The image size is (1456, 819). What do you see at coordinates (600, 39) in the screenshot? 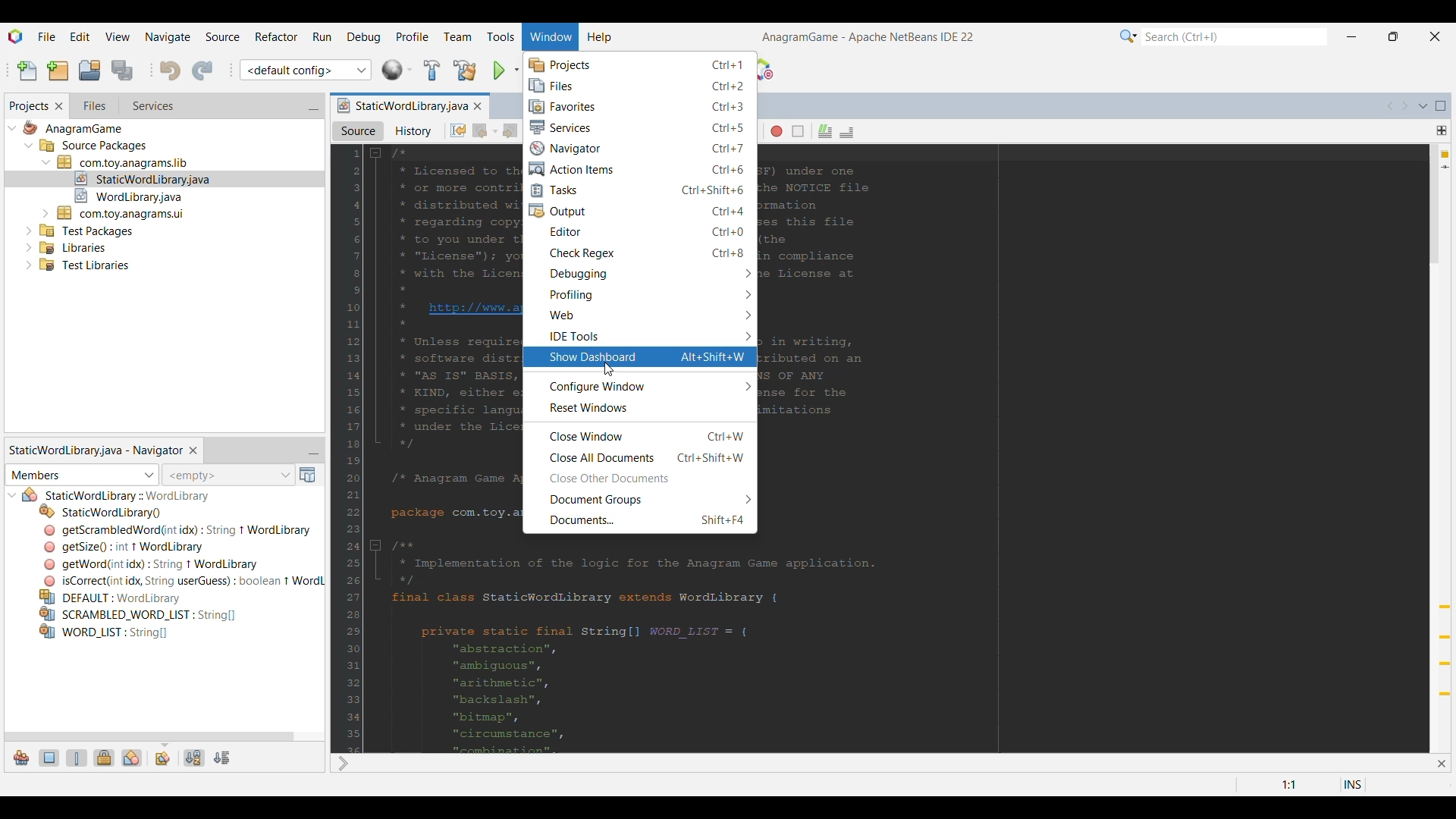
I see `Help menu` at bounding box center [600, 39].